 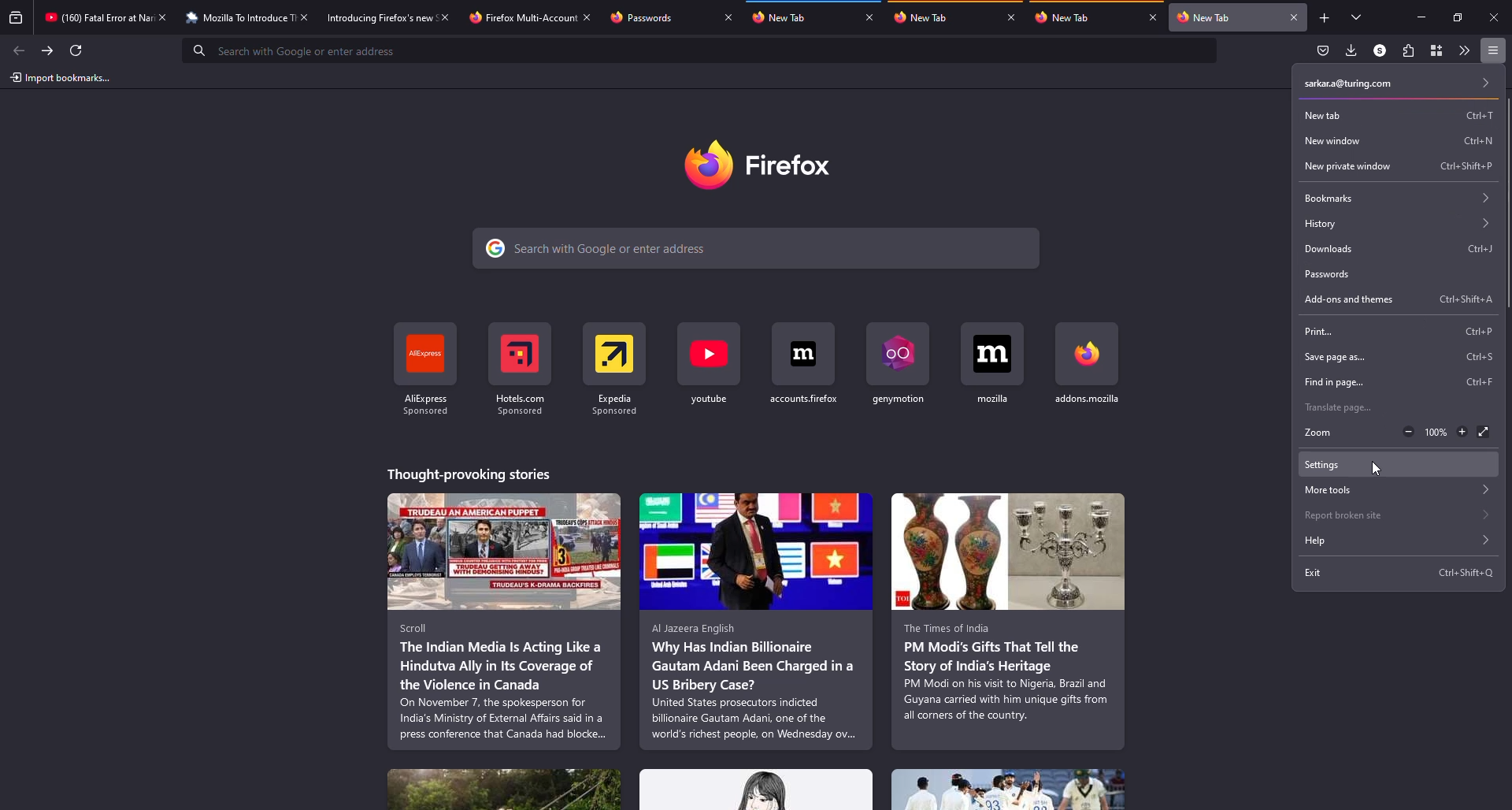 What do you see at coordinates (804, 365) in the screenshot?
I see `shortcut` at bounding box center [804, 365].